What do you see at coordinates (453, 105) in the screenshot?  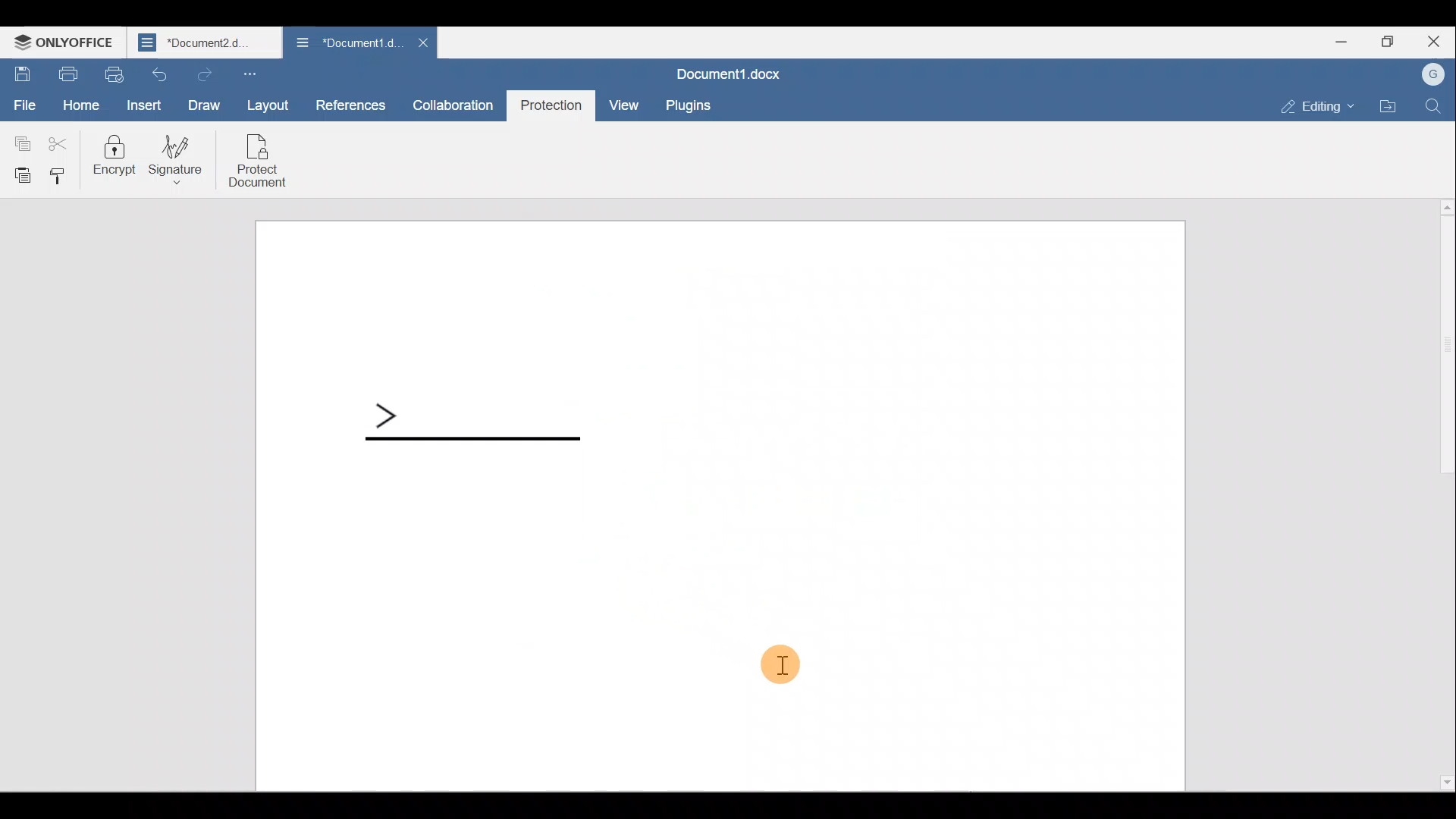 I see `Collaboration` at bounding box center [453, 105].